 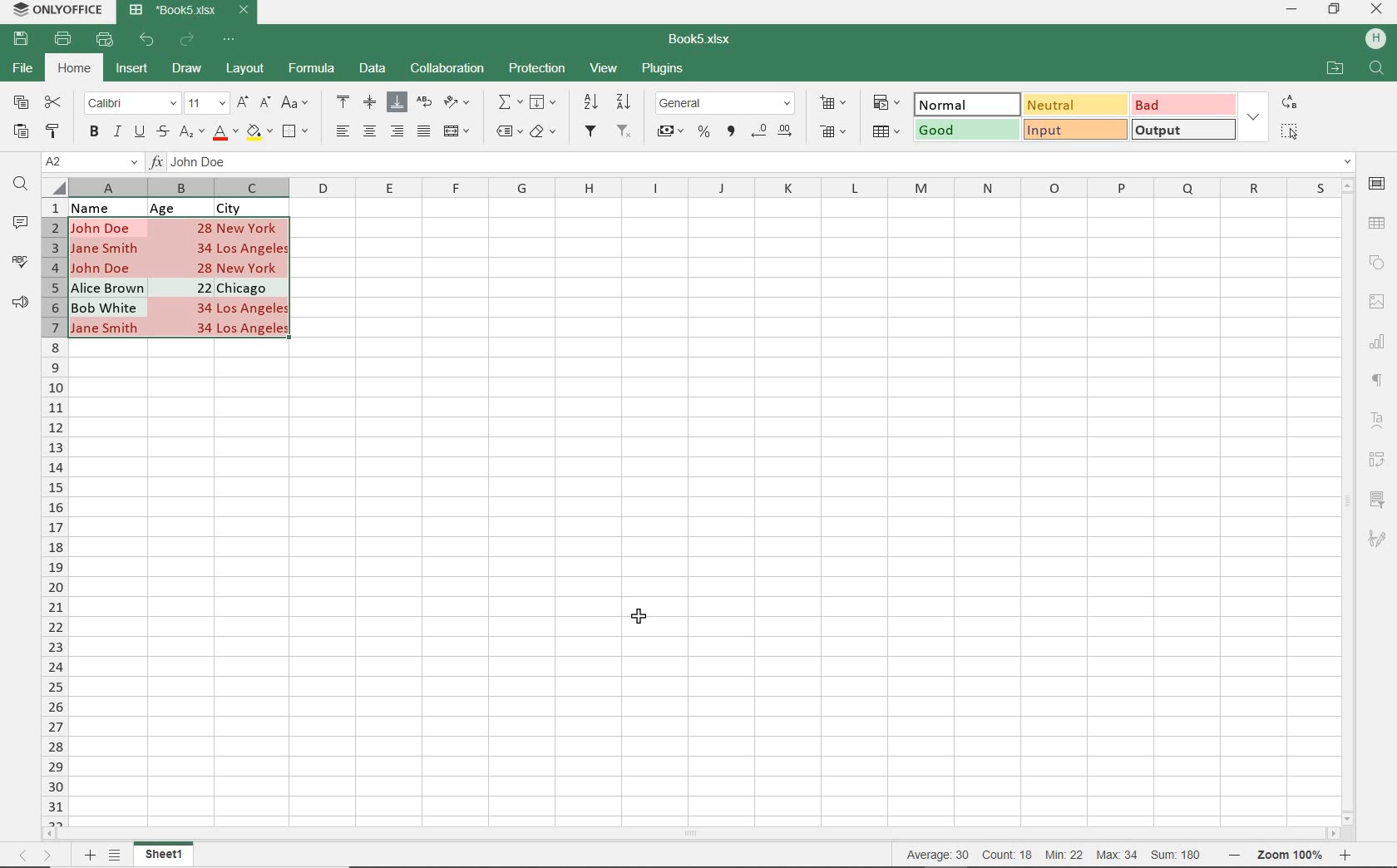 What do you see at coordinates (149, 40) in the screenshot?
I see `UNDO` at bounding box center [149, 40].